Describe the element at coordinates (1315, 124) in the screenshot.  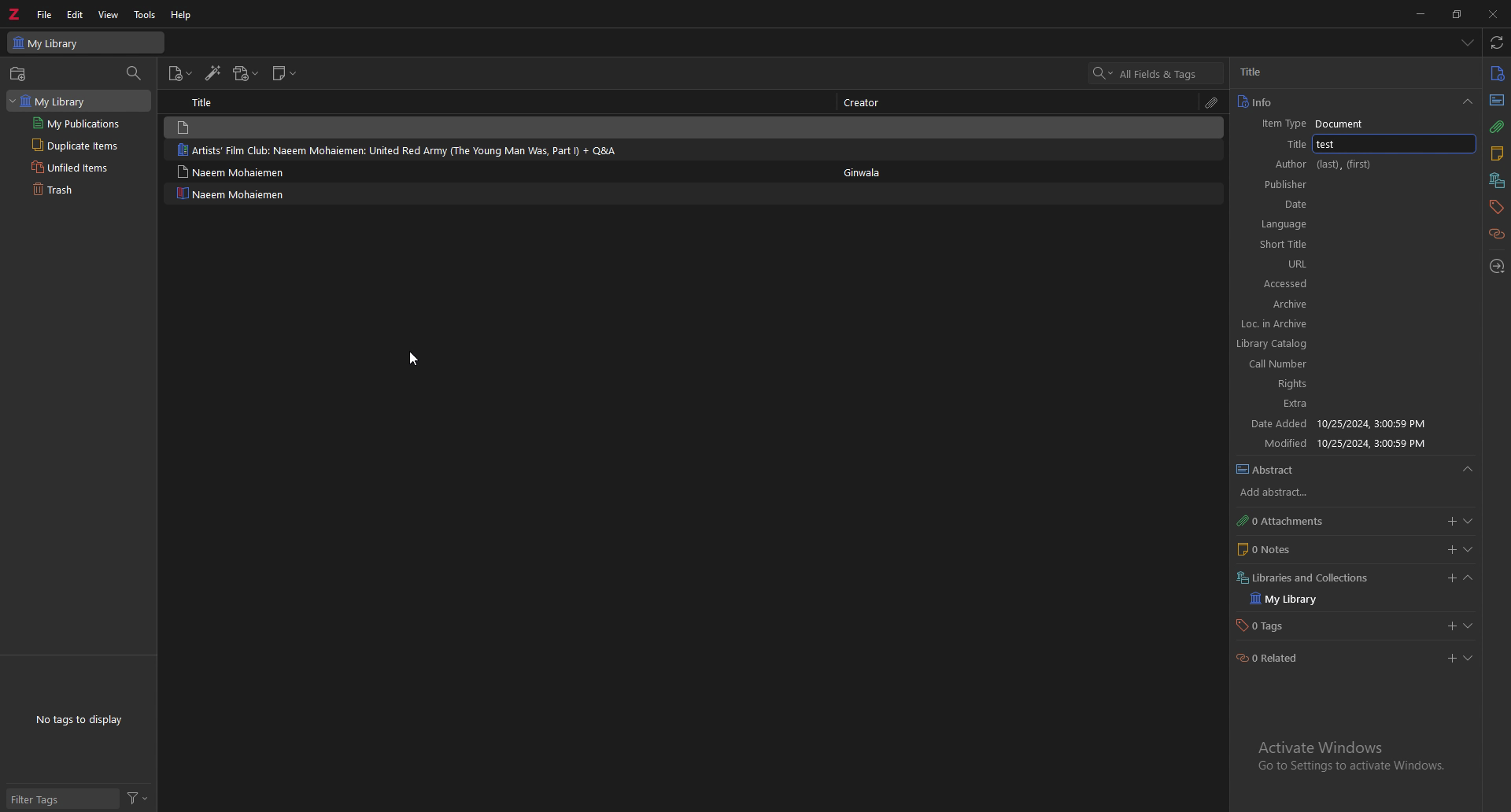
I see `item type` at that location.